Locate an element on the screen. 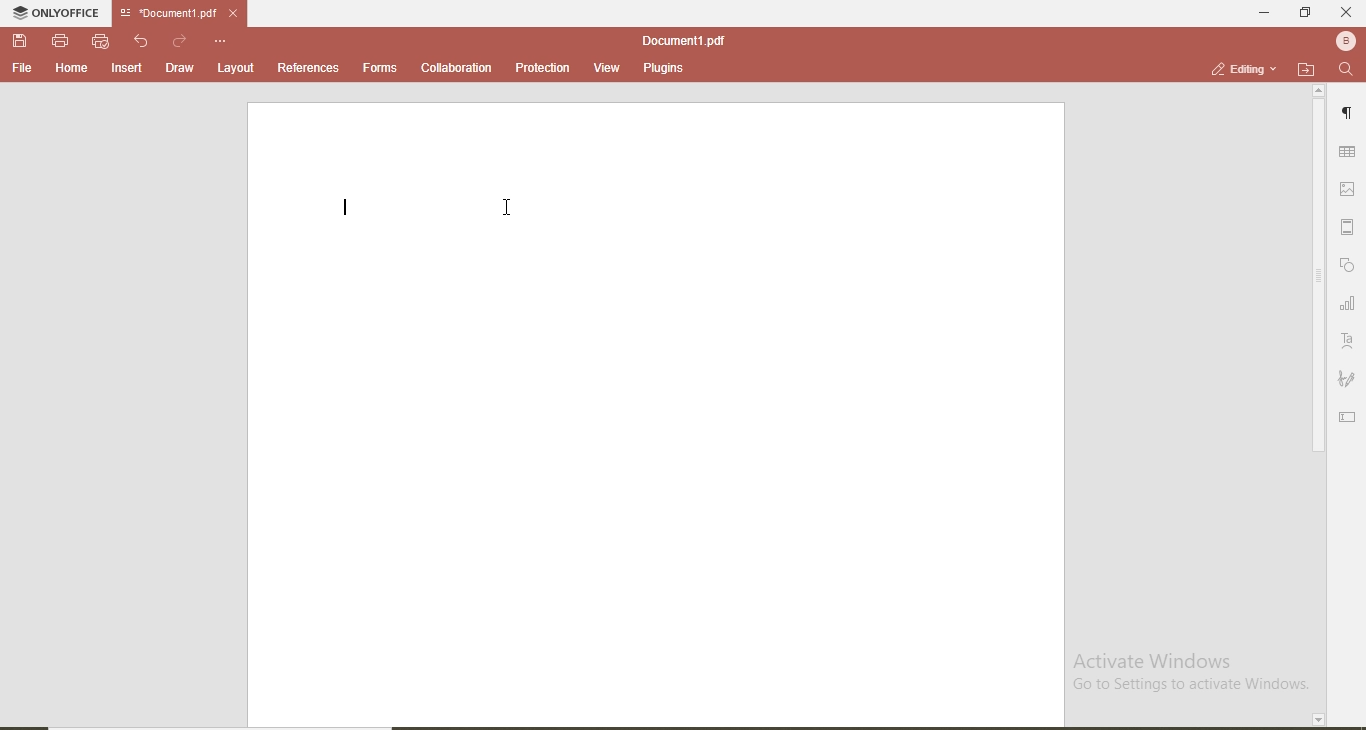 The image size is (1366, 730). close is located at coordinates (1347, 11).